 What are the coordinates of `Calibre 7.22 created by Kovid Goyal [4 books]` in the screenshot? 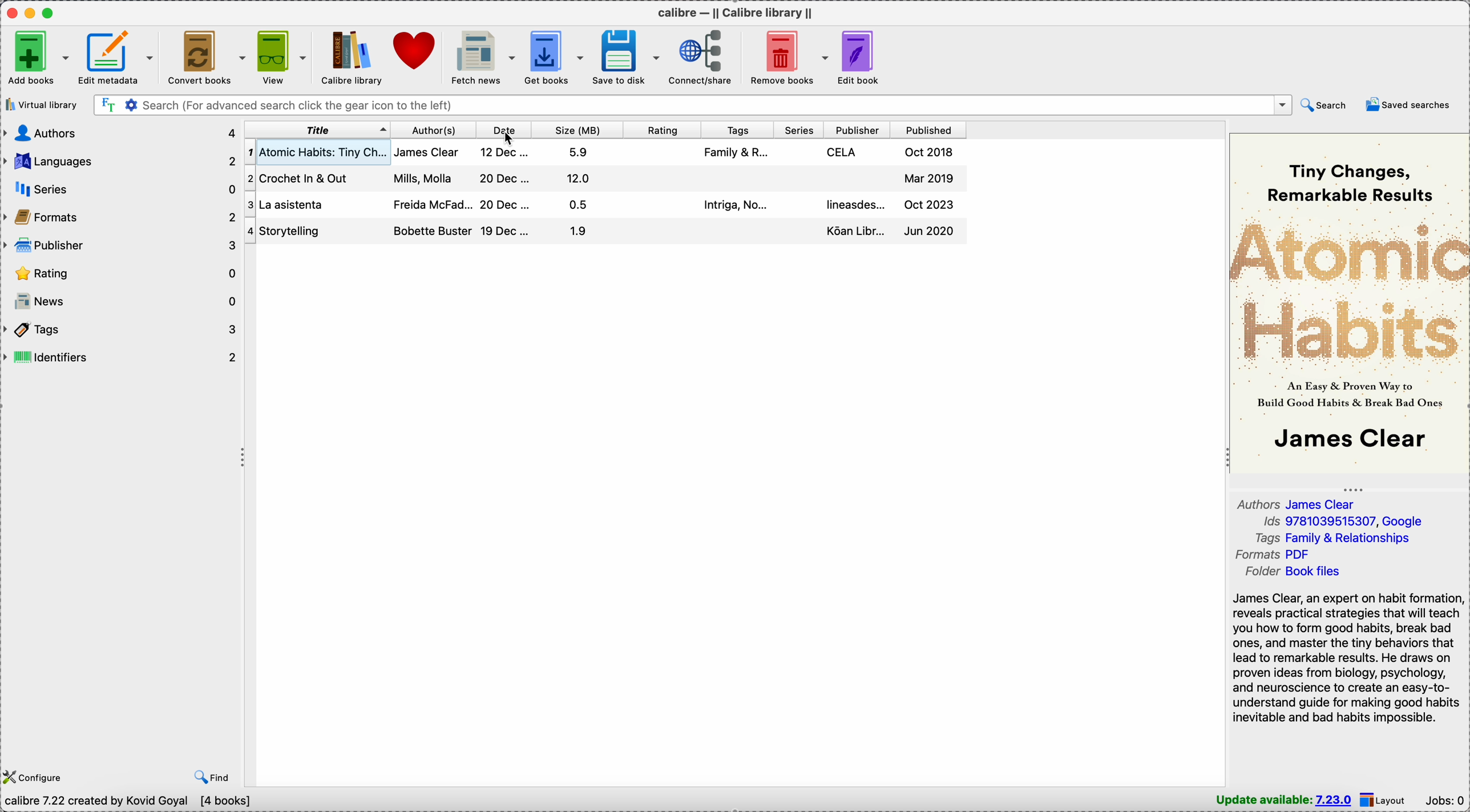 It's located at (130, 802).